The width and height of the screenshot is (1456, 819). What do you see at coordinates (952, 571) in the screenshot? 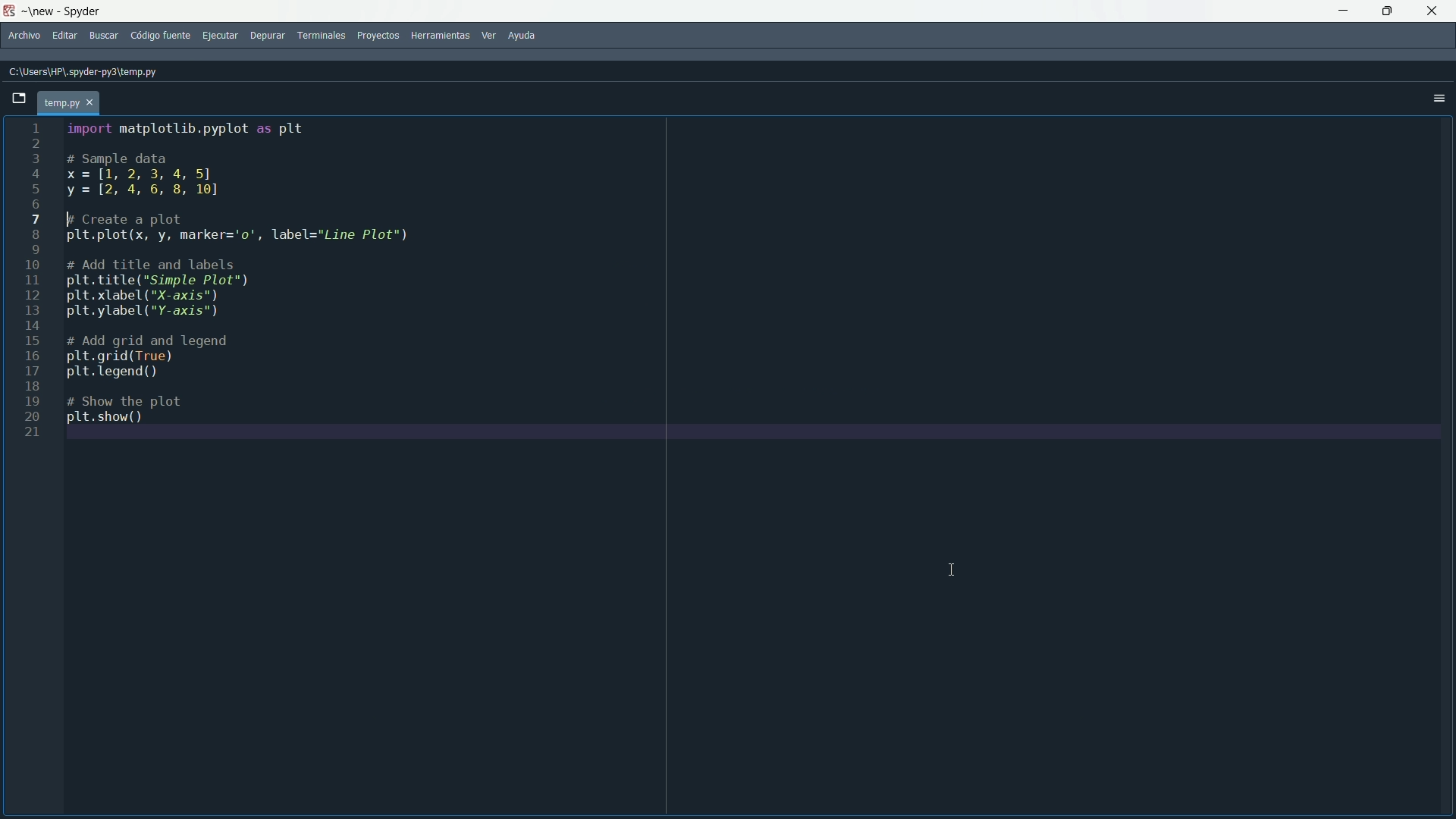
I see `cursor` at bounding box center [952, 571].